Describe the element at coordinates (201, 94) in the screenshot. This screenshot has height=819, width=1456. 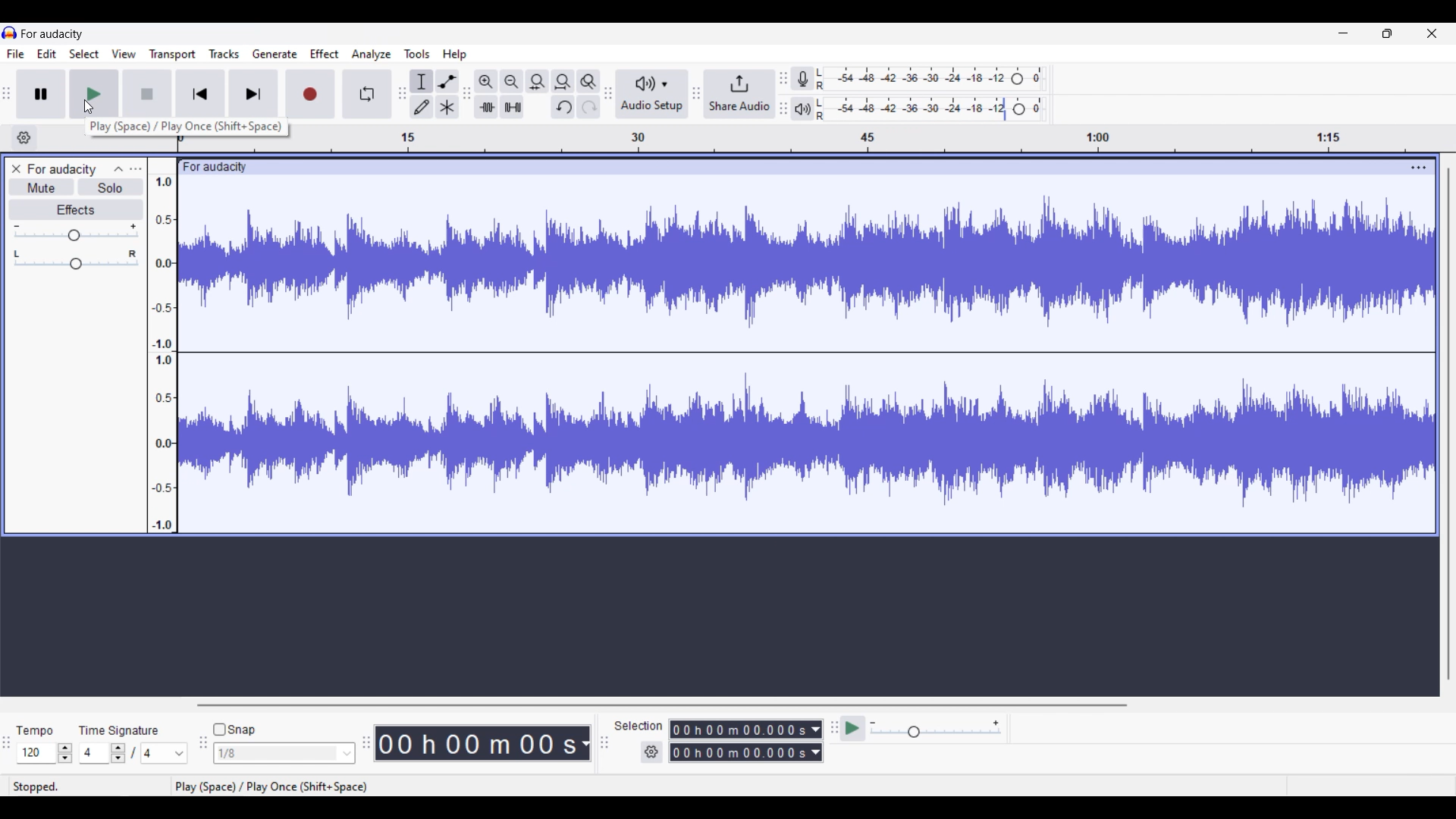
I see `Skip/Select to start` at that location.